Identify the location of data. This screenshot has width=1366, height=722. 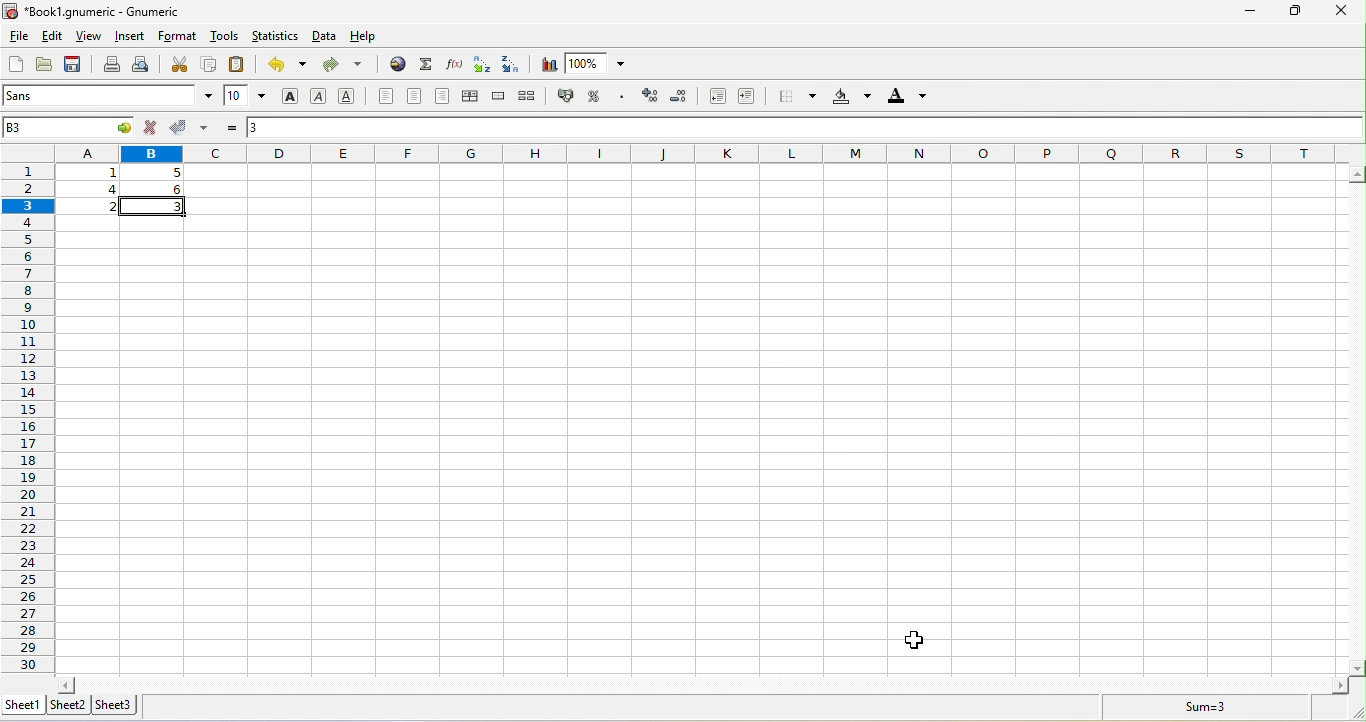
(326, 38).